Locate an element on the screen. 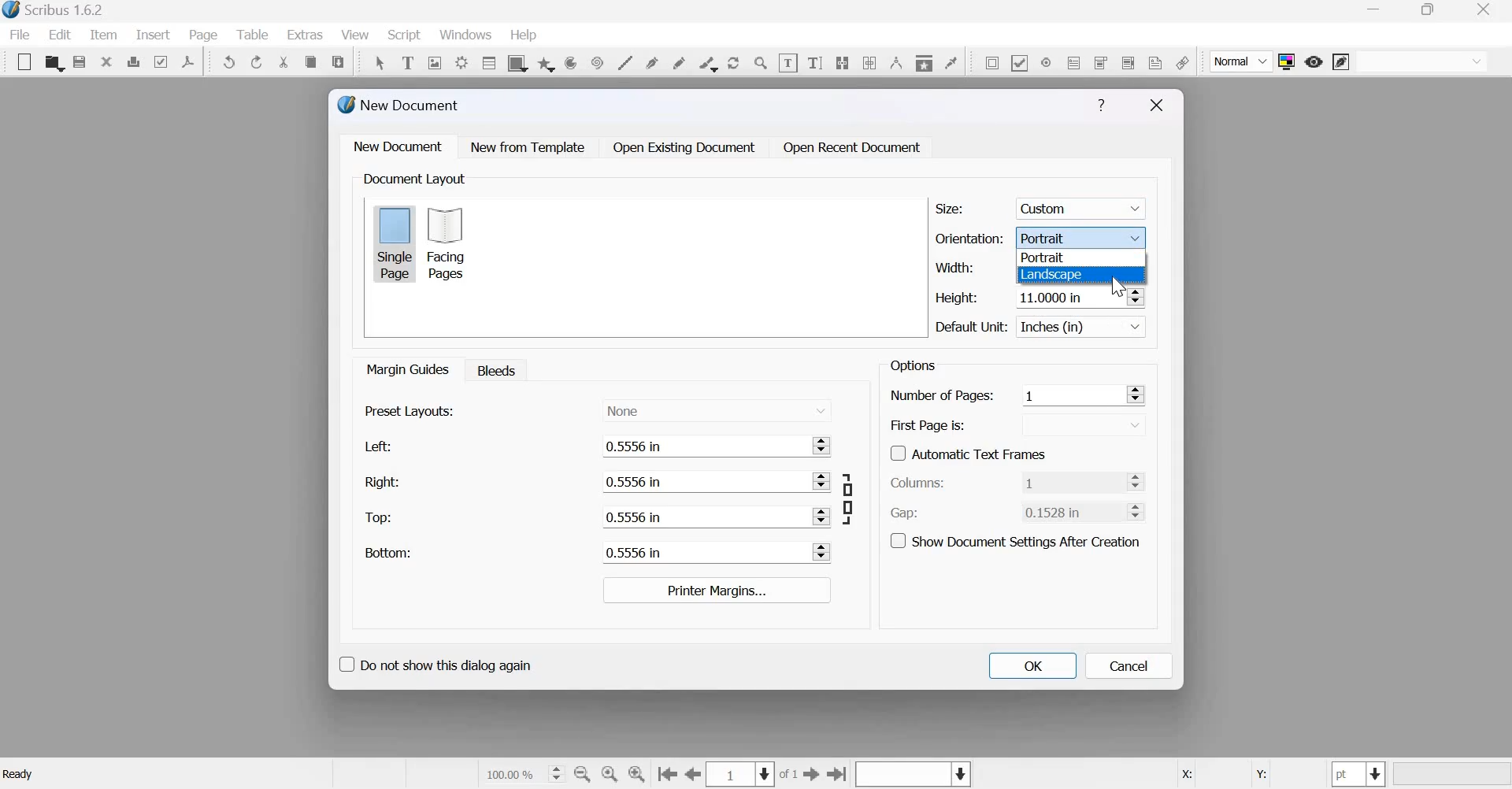 Image resolution: width=1512 pixels, height=789 pixels. Table is located at coordinates (254, 35).